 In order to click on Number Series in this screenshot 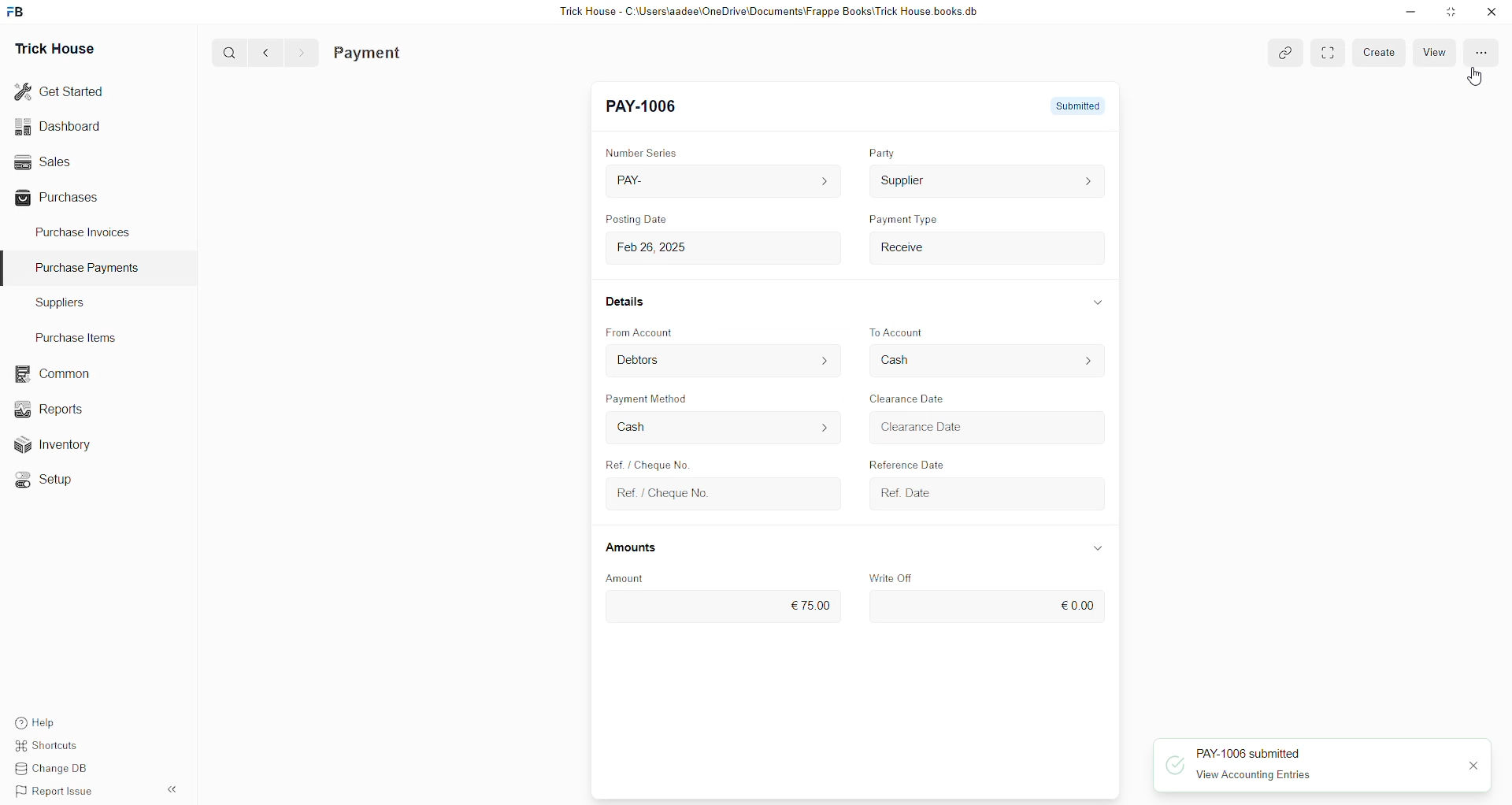, I will do `click(641, 150)`.